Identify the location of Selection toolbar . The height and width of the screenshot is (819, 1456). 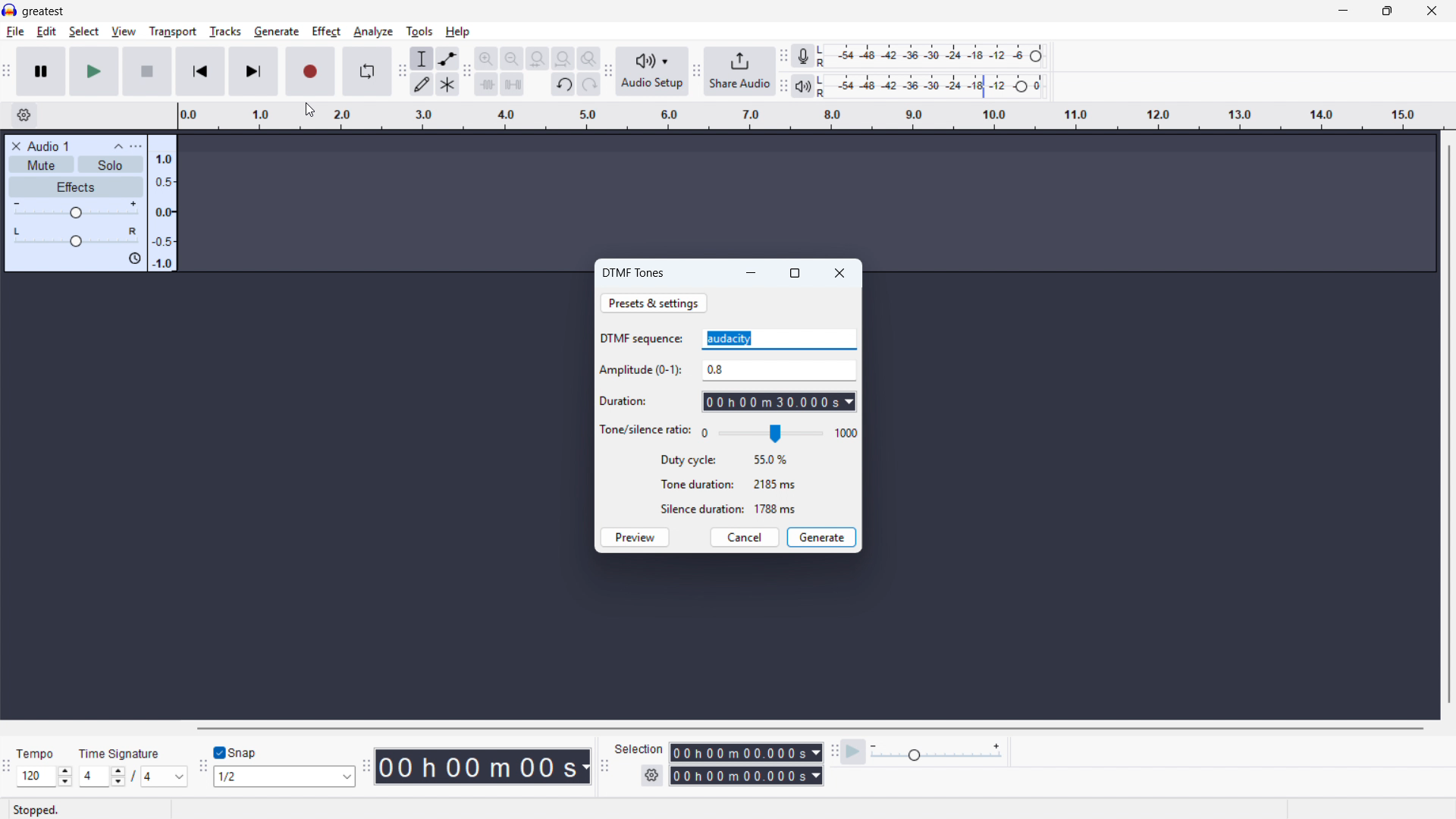
(605, 767).